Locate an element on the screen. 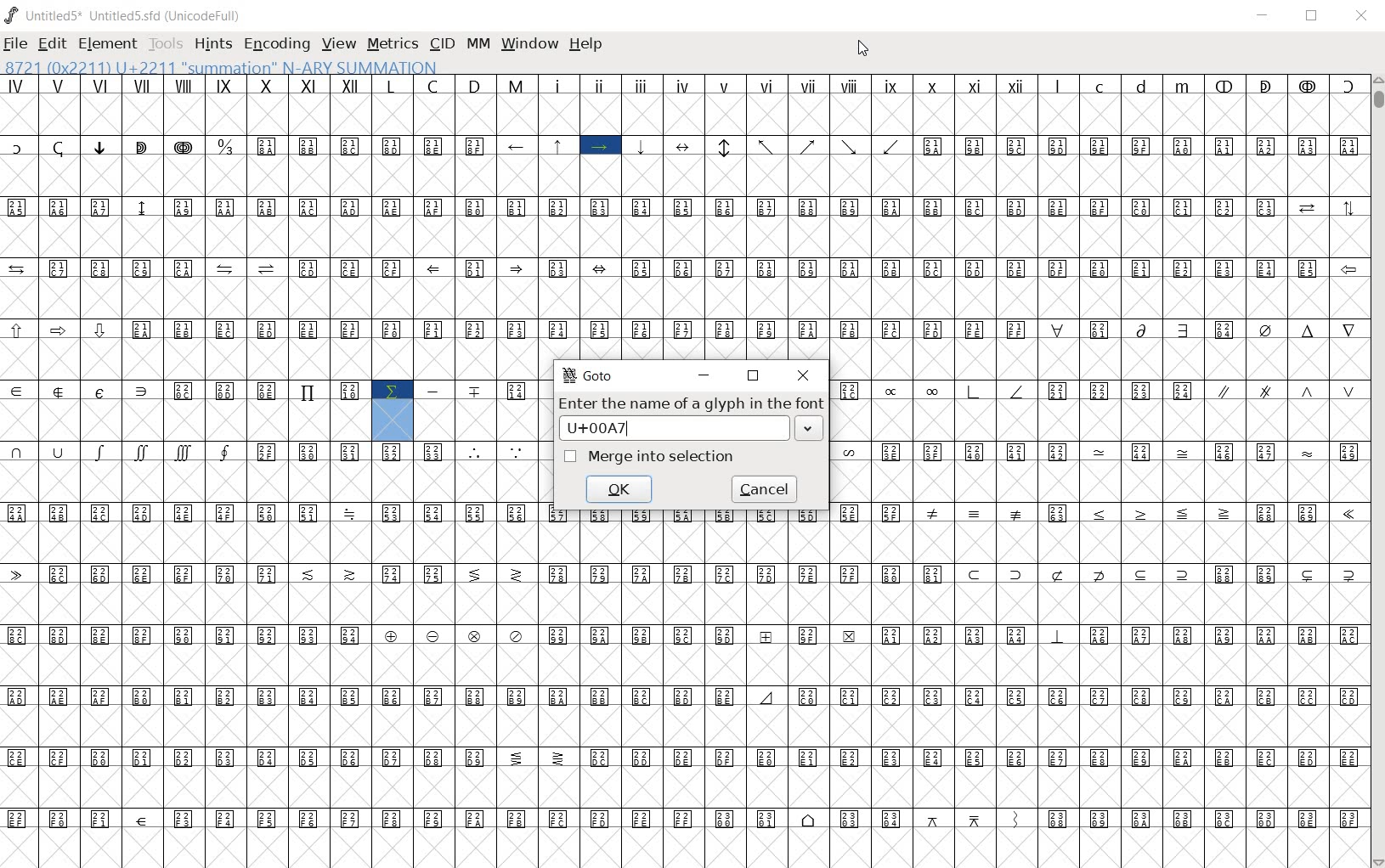  empty cells is located at coordinates (187, 421).